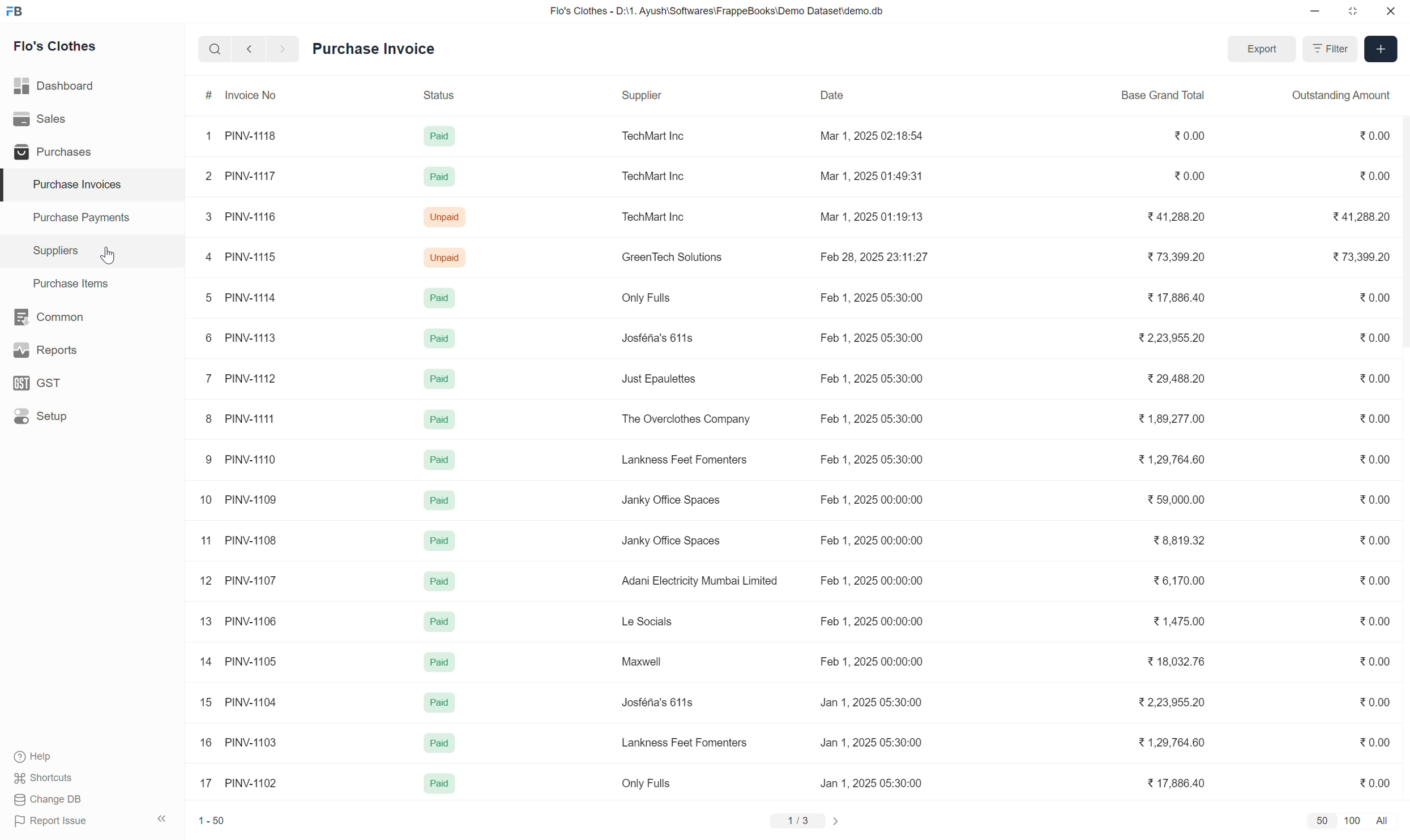 This screenshot has width=1410, height=840. Describe the element at coordinates (434, 580) in the screenshot. I see `Paid` at that location.